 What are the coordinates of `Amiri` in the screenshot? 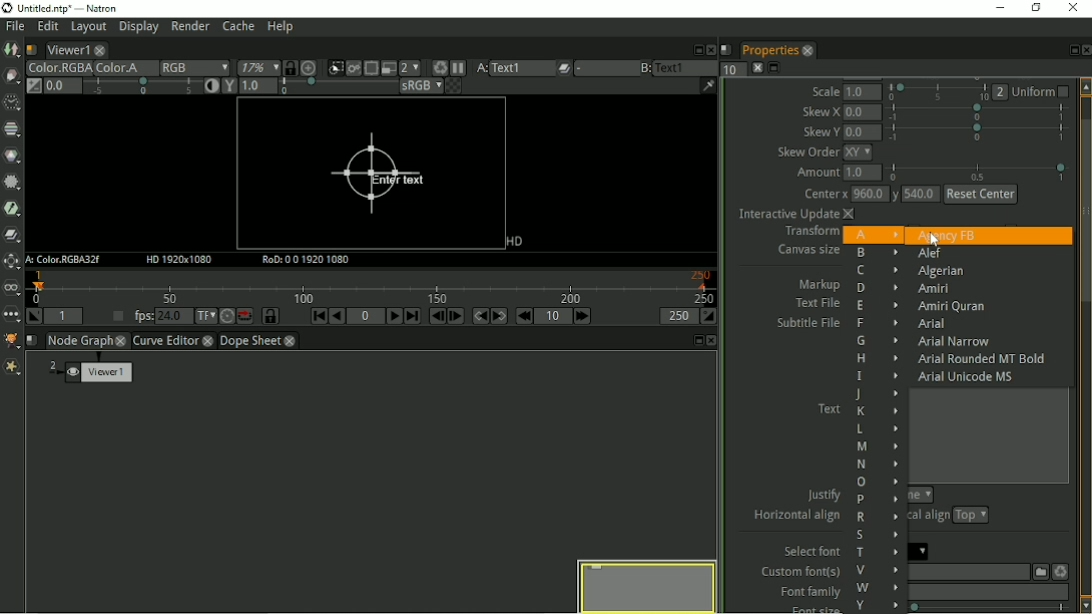 It's located at (935, 288).